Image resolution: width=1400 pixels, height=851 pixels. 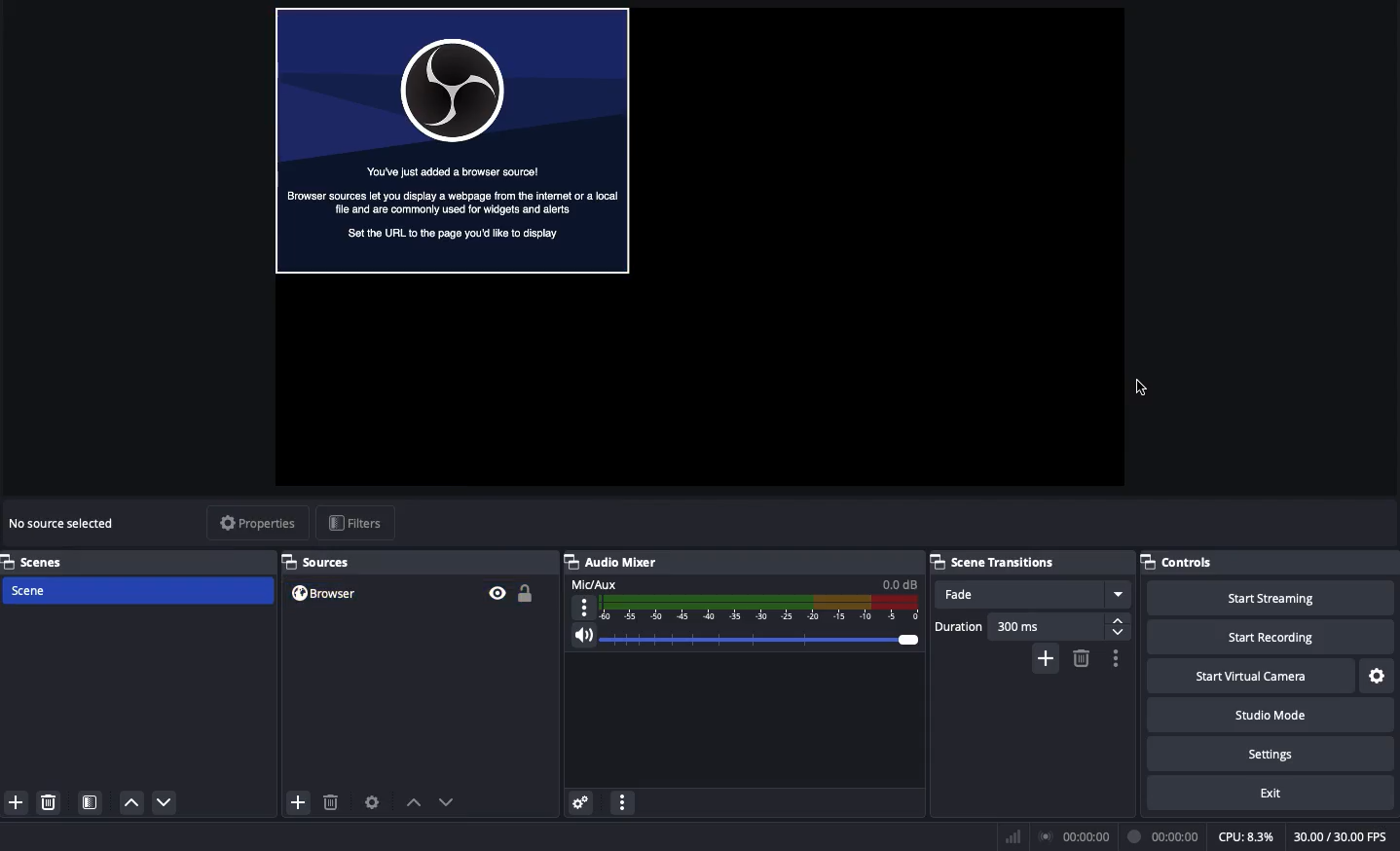 What do you see at coordinates (1027, 626) in the screenshot?
I see `Duration` at bounding box center [1027, 626].